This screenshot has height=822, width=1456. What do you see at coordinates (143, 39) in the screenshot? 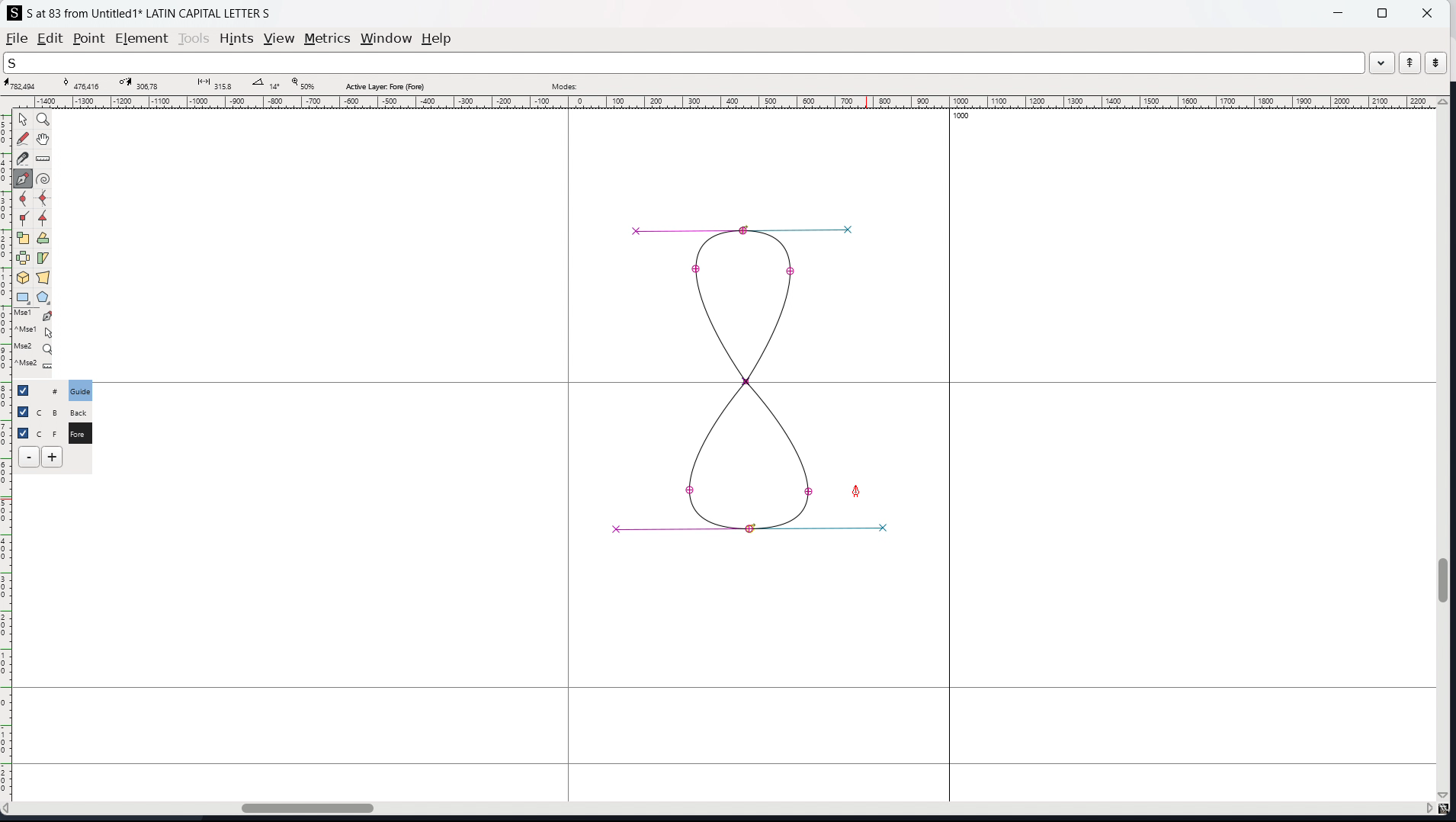
I see `element` at bounding box center [143, 39].